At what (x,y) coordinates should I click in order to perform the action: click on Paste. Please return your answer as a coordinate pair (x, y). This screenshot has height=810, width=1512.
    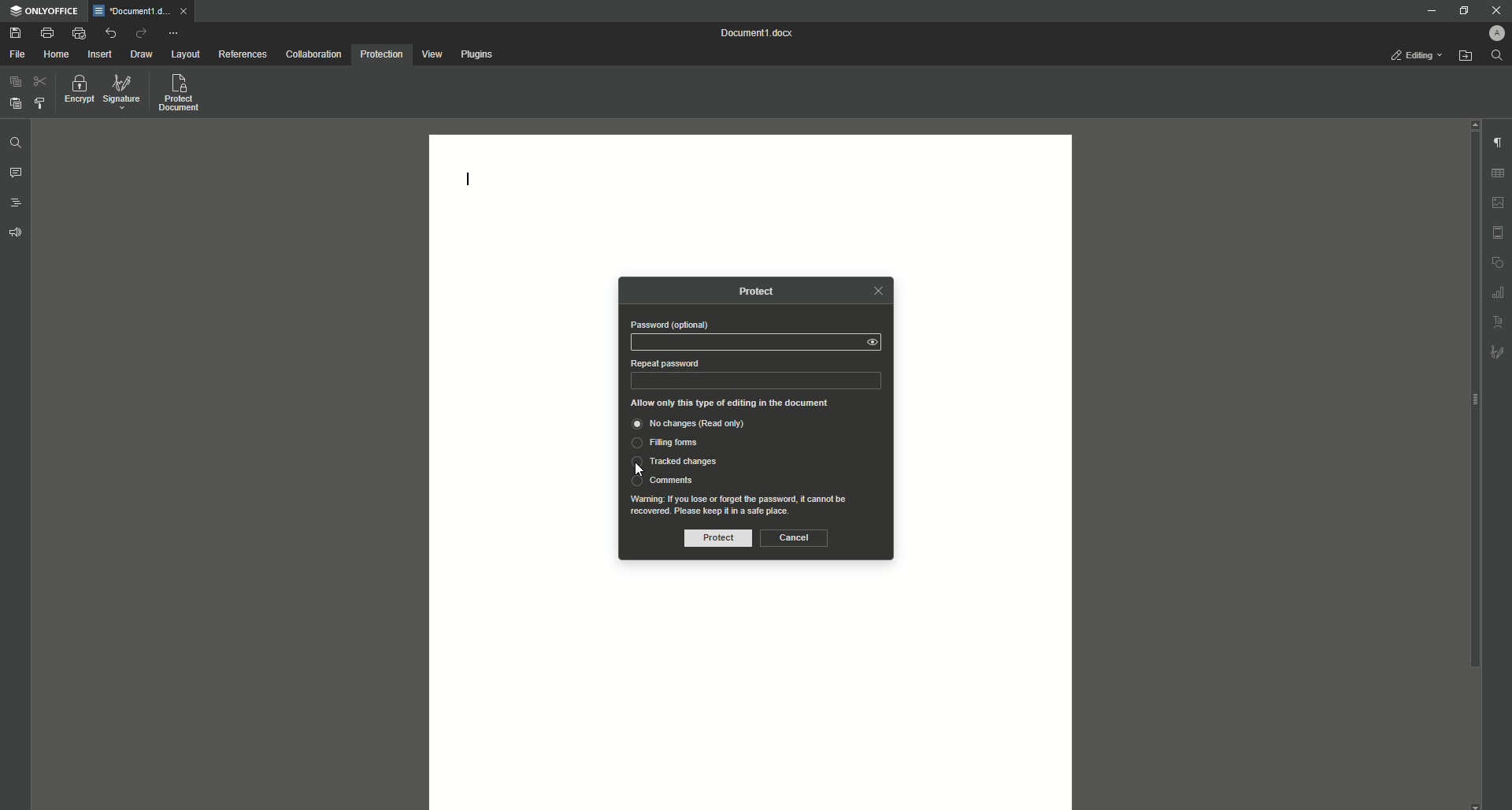
    Looking at the image, I should click on (13, 84).